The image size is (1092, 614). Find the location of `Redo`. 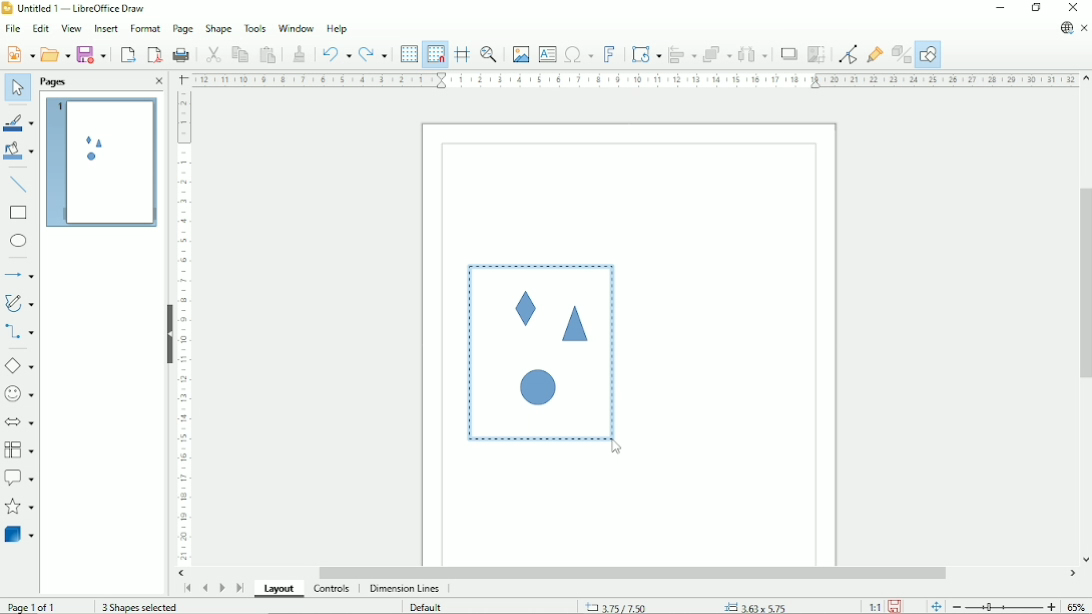

Redo is located at coordinates (374, 53).